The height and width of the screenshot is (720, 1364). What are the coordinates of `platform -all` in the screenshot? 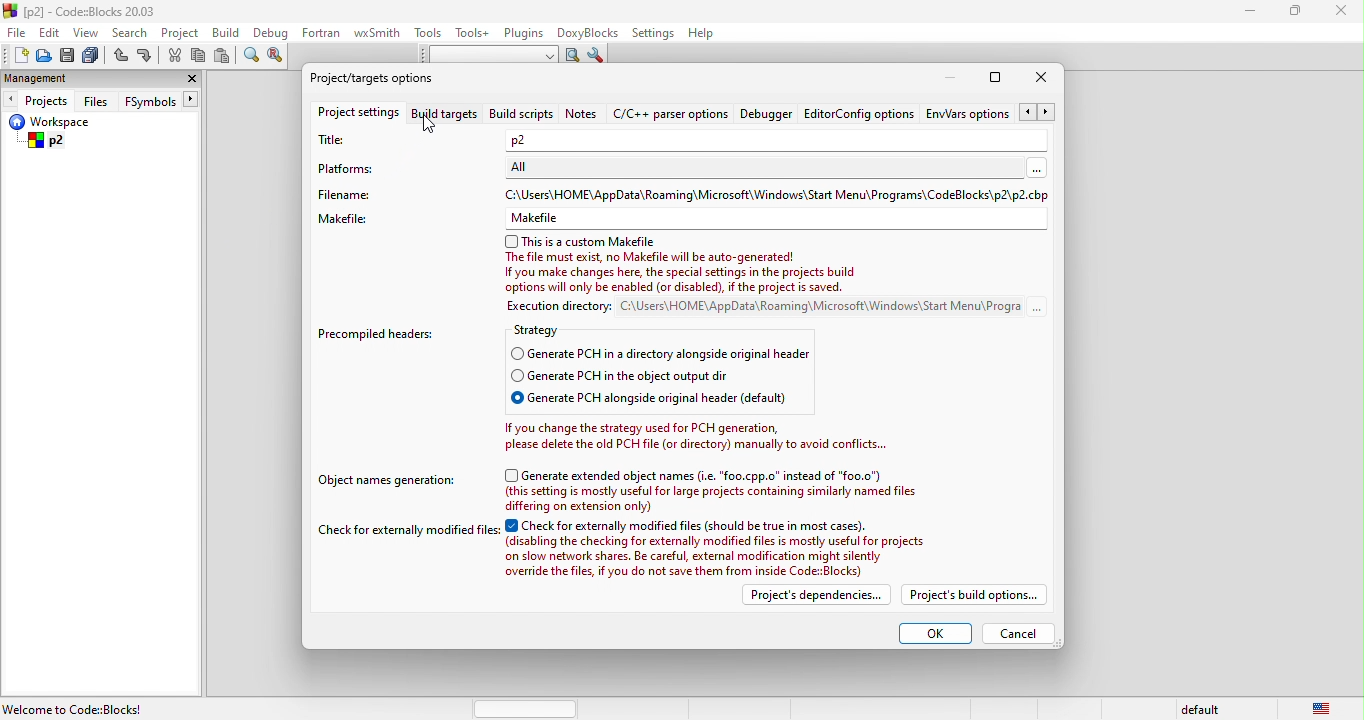 It's located at (686, 169).